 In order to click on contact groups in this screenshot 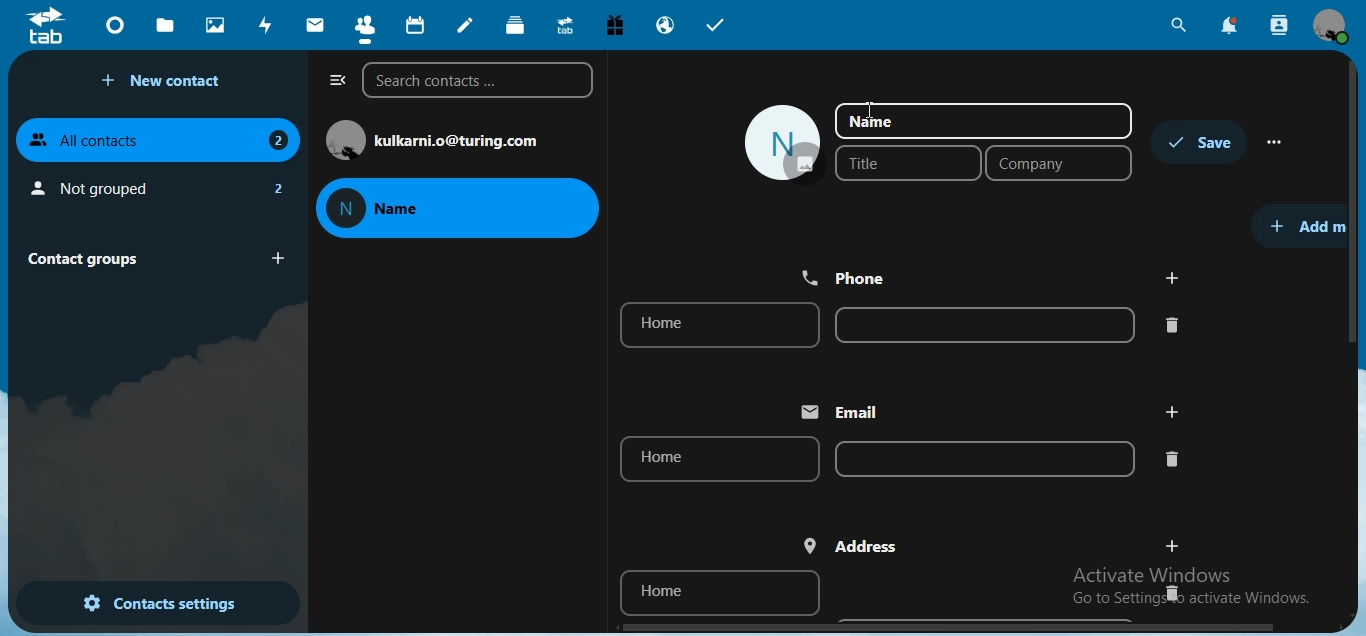, I will do `click(151, 257)`.